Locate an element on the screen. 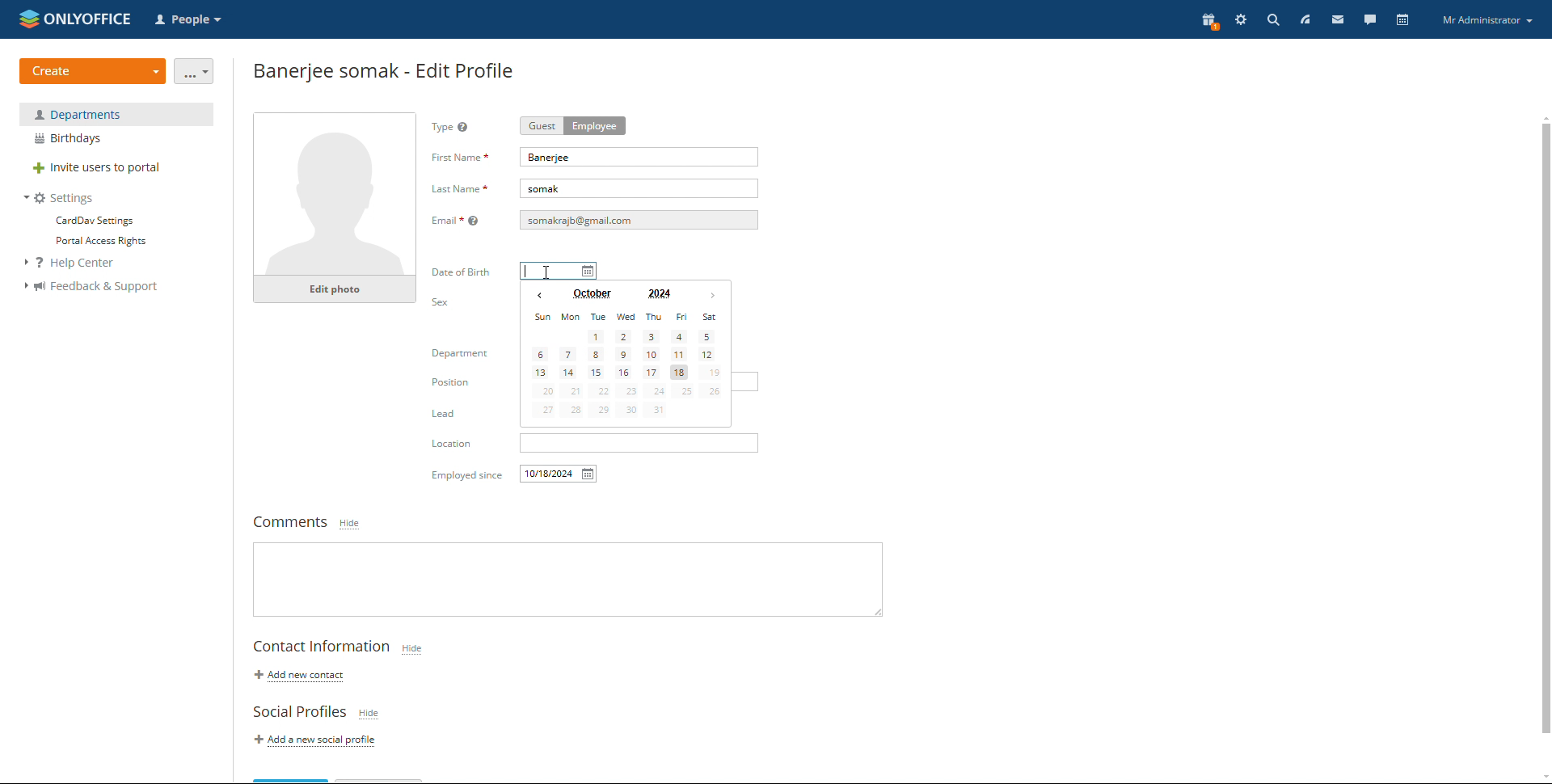  employee edit profile is located at coordinates (386, 70).